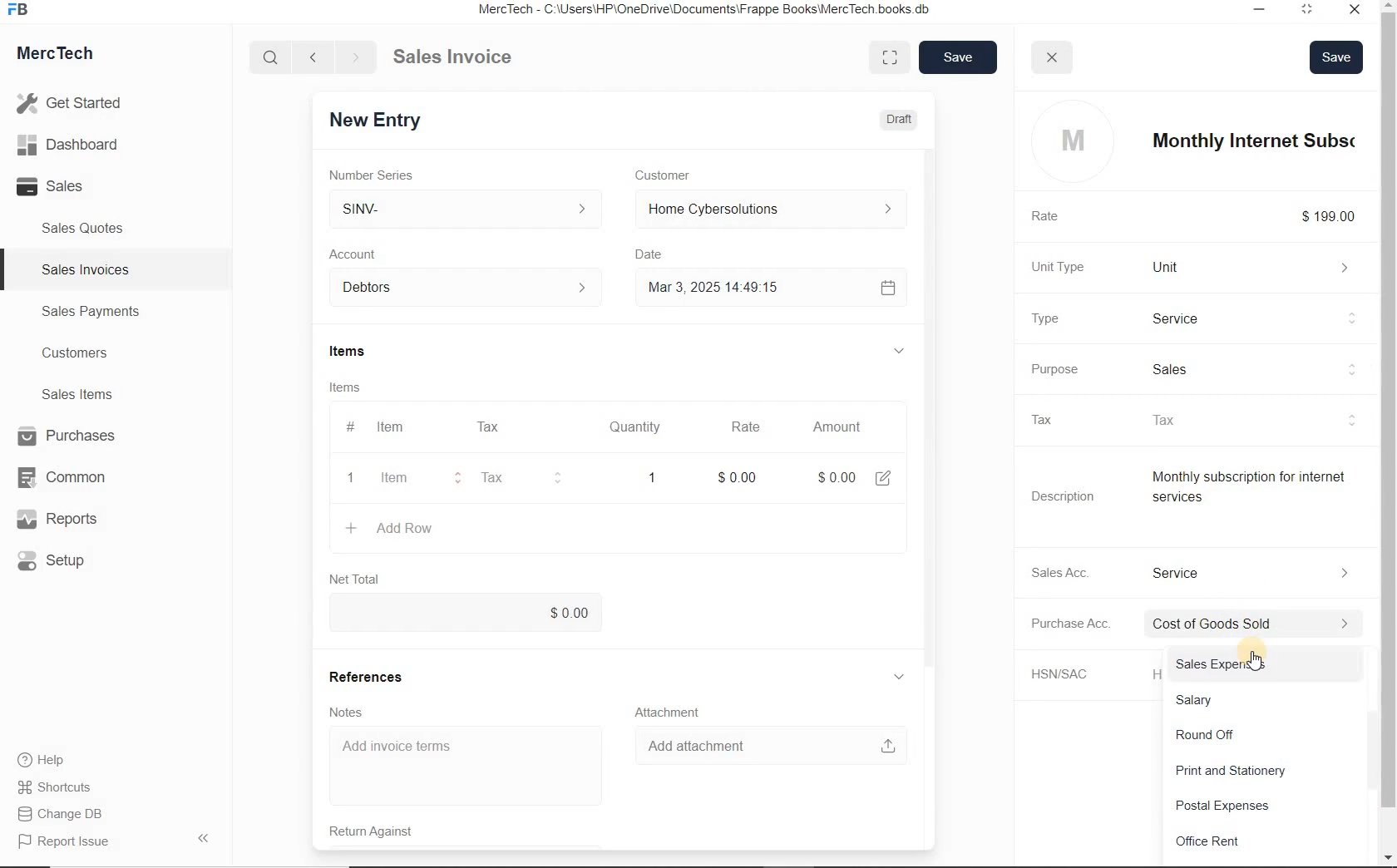  Describe the element at coordinates (1359, 12) in the screenshot. I see `Close` at that location.